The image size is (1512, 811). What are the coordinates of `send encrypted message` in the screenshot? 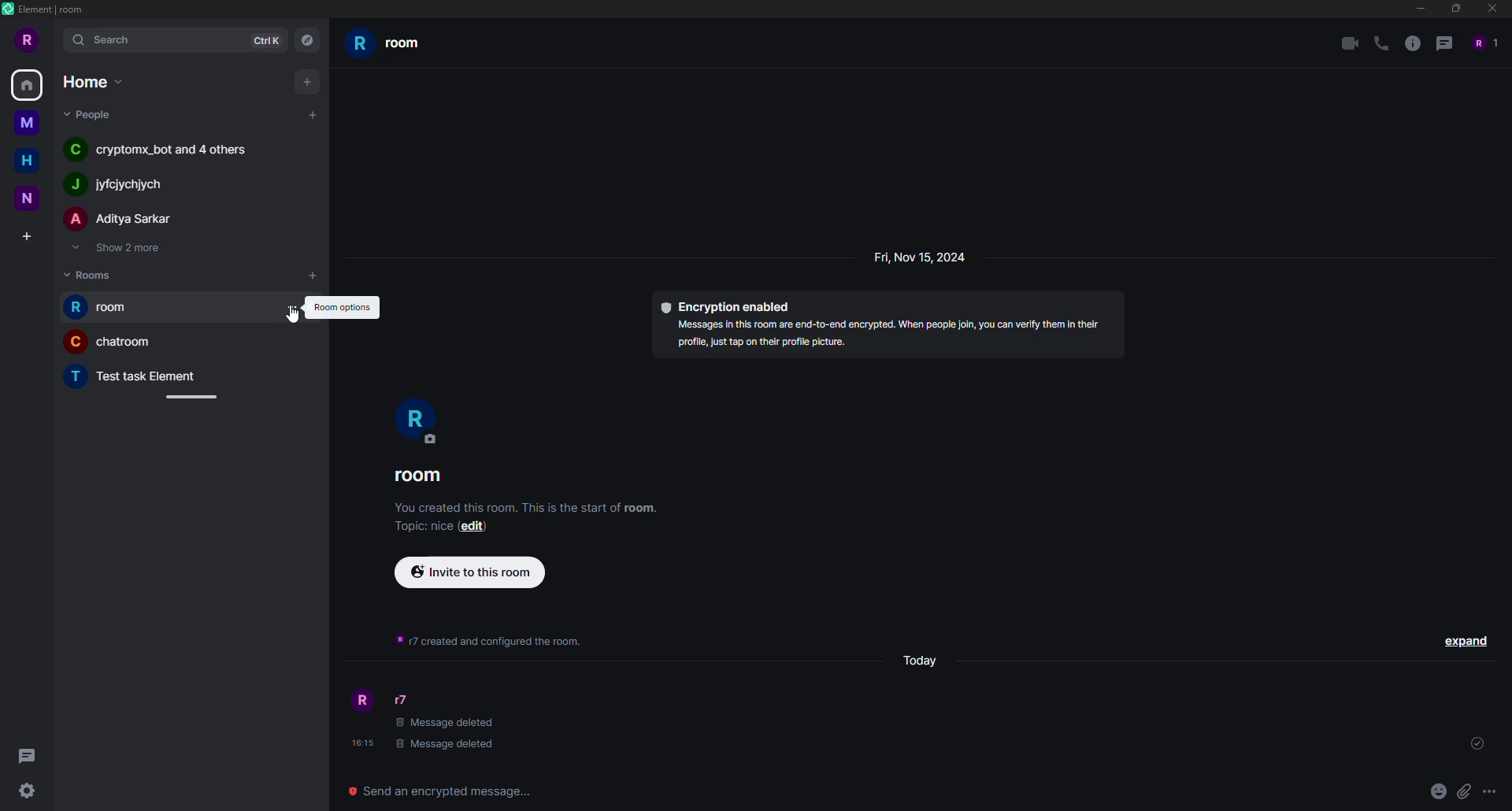 It's located at (446, 789).